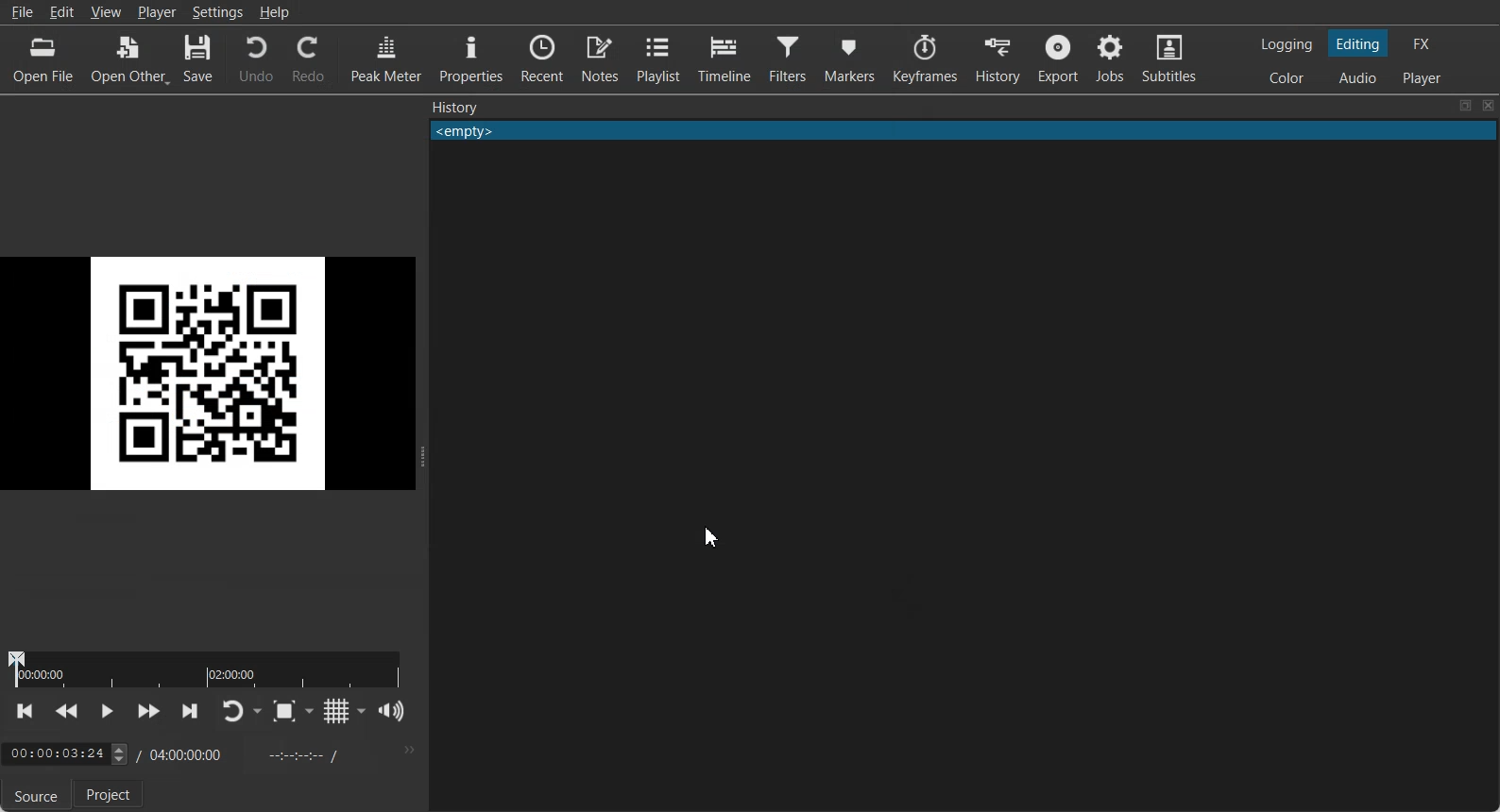 The image size is (1500, 812). I want to click on Text, so click(455, 107).